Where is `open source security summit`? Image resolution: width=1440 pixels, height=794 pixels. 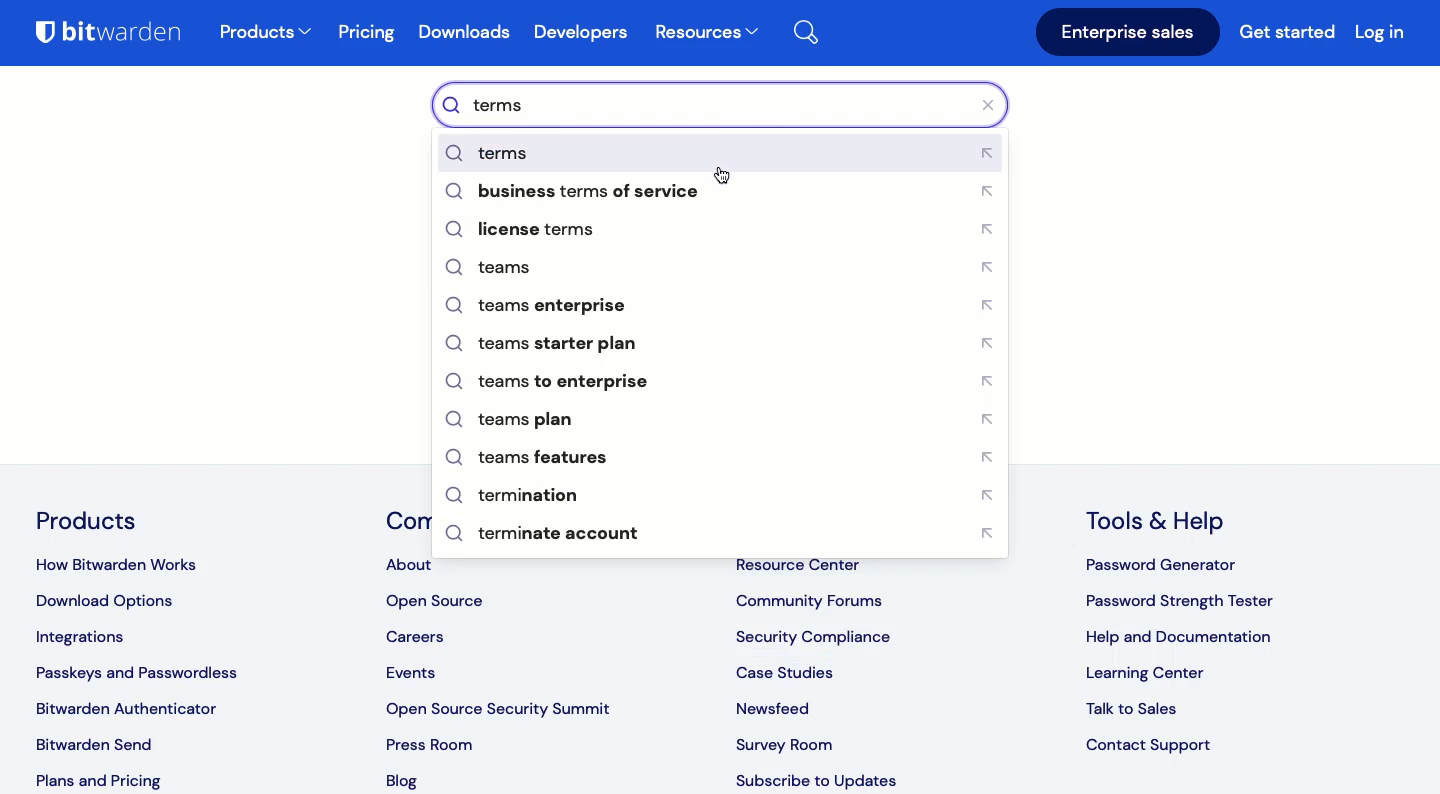 open source security summit is located at coordinates (506, 706).